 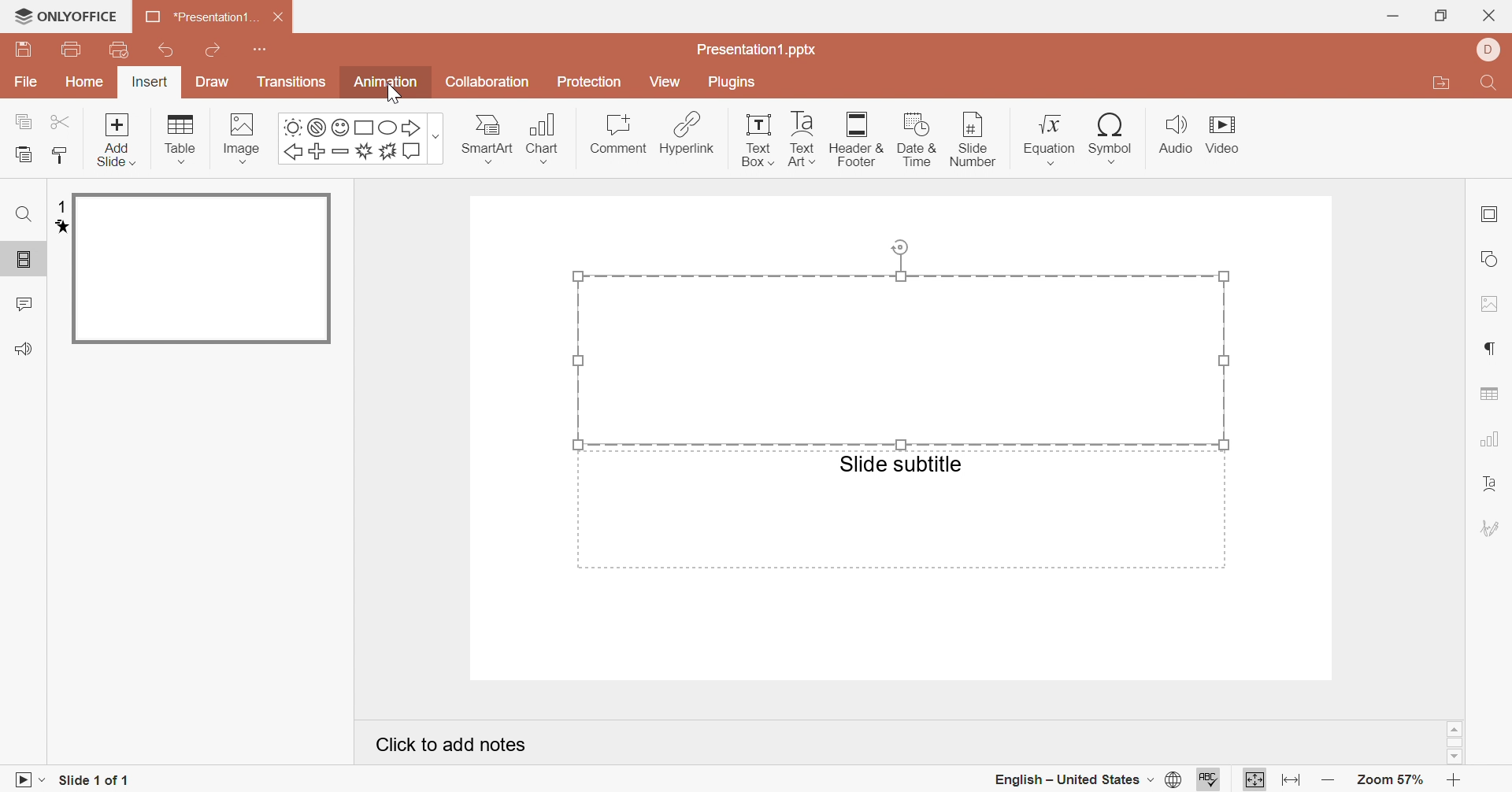 I want to click on find, so click(x=26, y=213).